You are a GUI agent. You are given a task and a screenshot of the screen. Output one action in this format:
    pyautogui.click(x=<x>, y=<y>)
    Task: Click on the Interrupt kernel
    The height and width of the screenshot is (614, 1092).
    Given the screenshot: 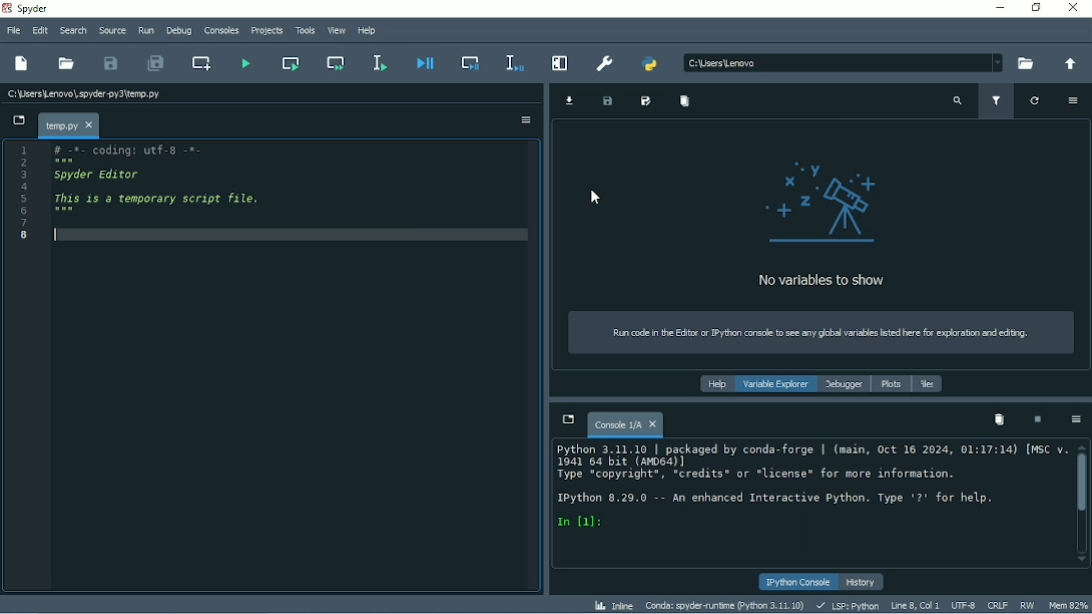 What is the action you would take?
    pyautogui.click(x=1037, y=420)
    